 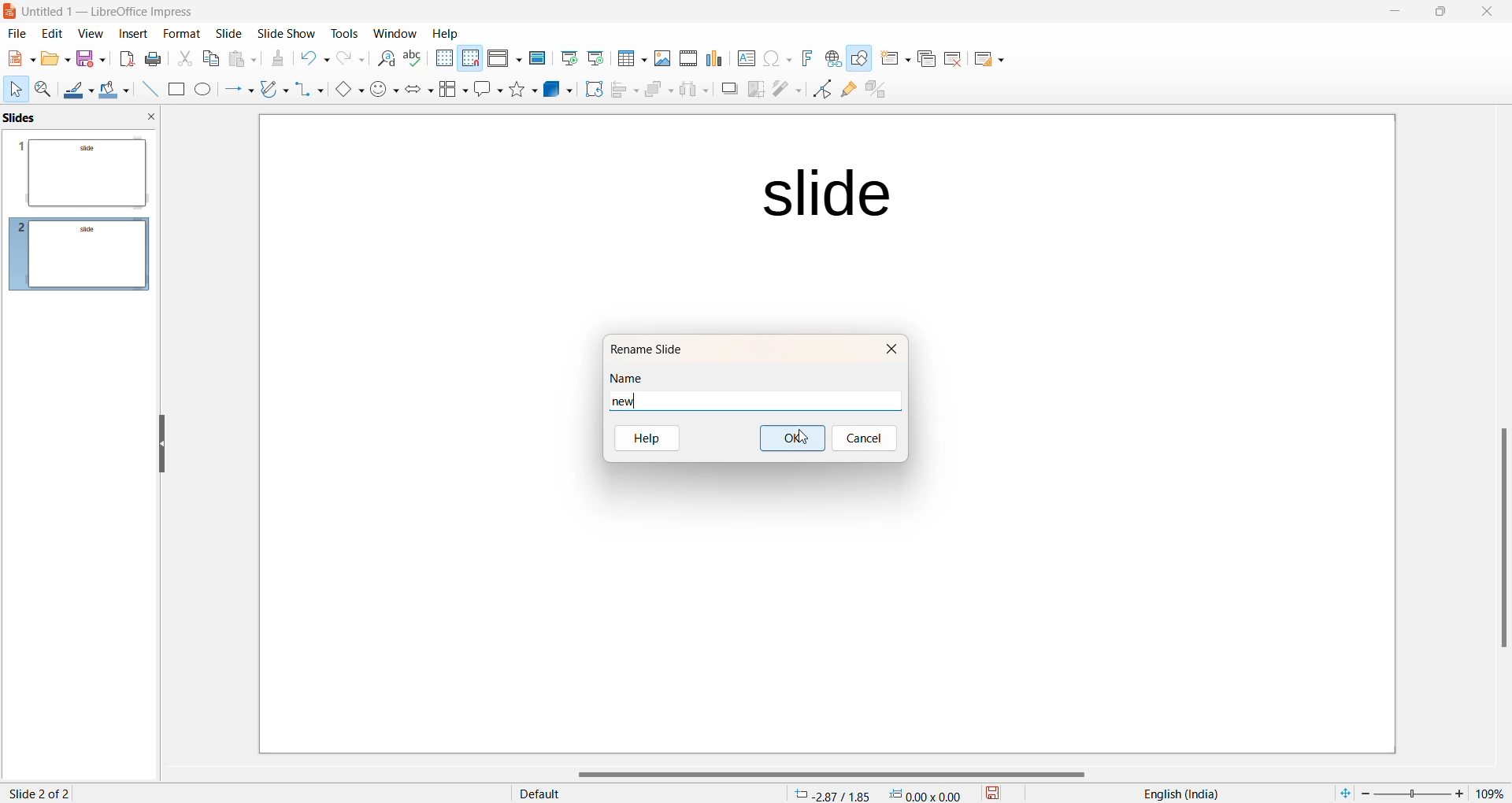 What do you see at coordinates (1493, 792) in the screenshot?
I see `zoom percentage` at bounding box center [1493, 792].